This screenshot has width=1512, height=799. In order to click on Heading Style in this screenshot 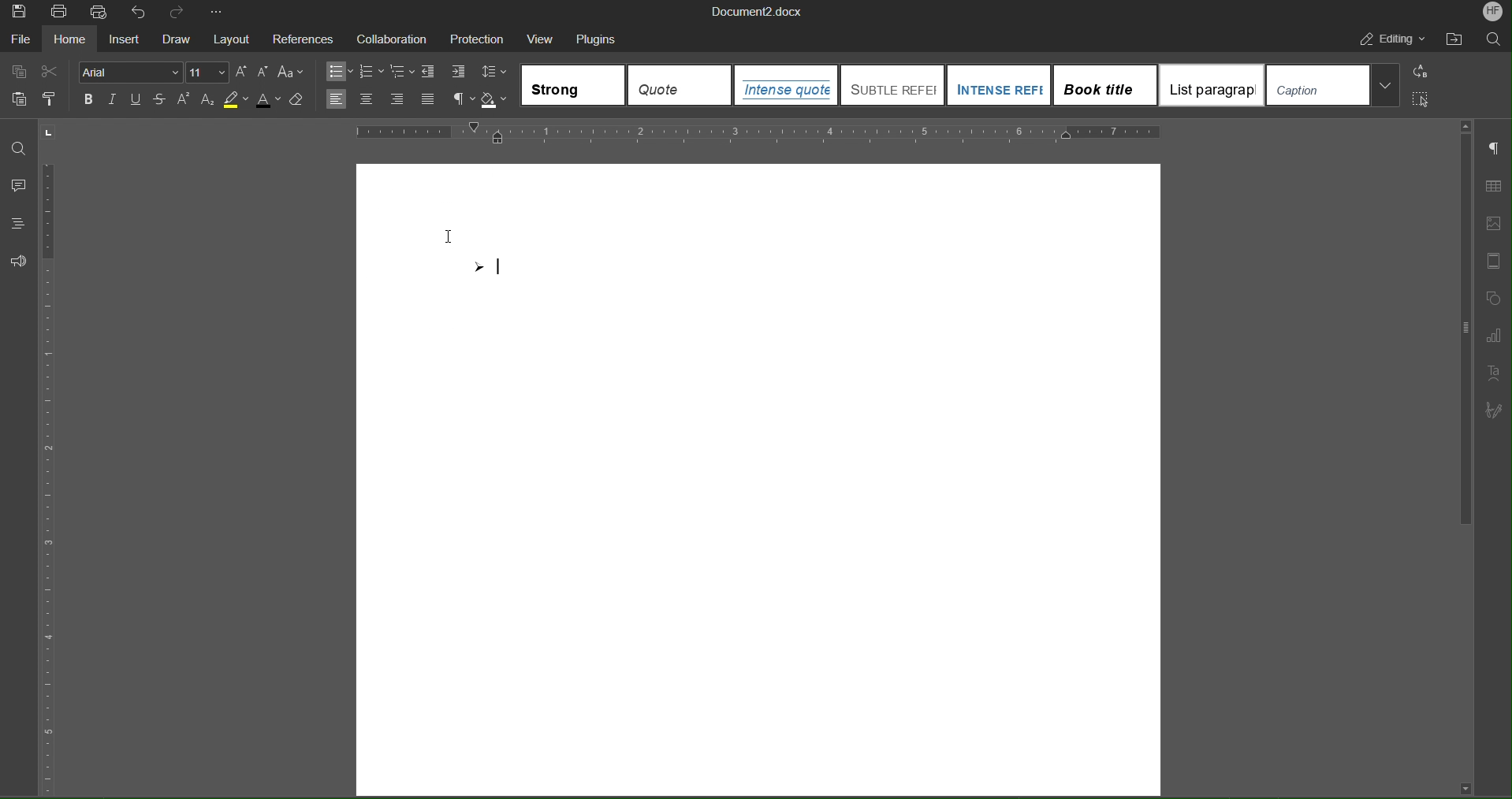, I will do `click(963, 86)`.